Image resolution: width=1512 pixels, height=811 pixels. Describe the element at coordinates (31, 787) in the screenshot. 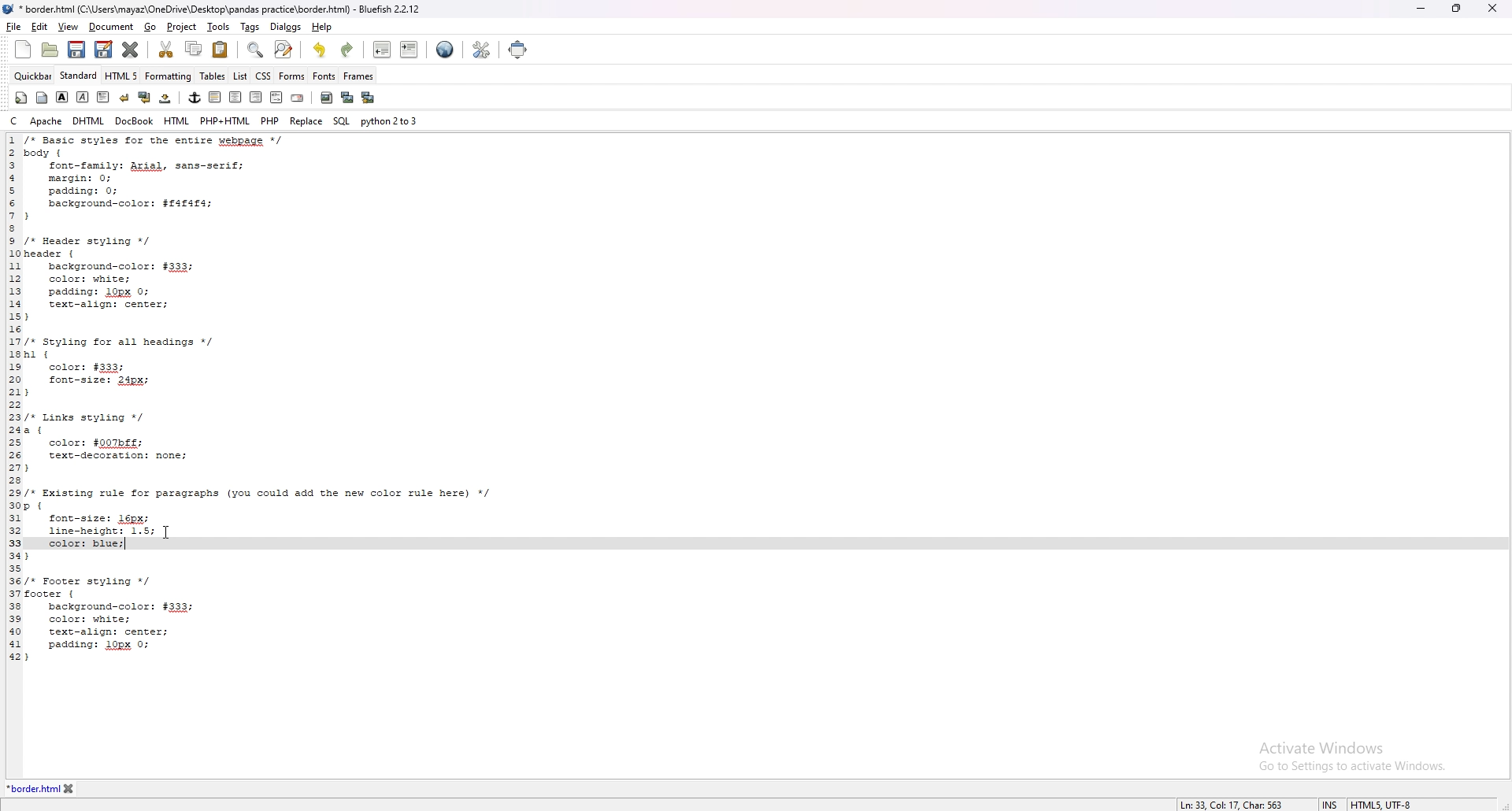

I see `tab` at that location.